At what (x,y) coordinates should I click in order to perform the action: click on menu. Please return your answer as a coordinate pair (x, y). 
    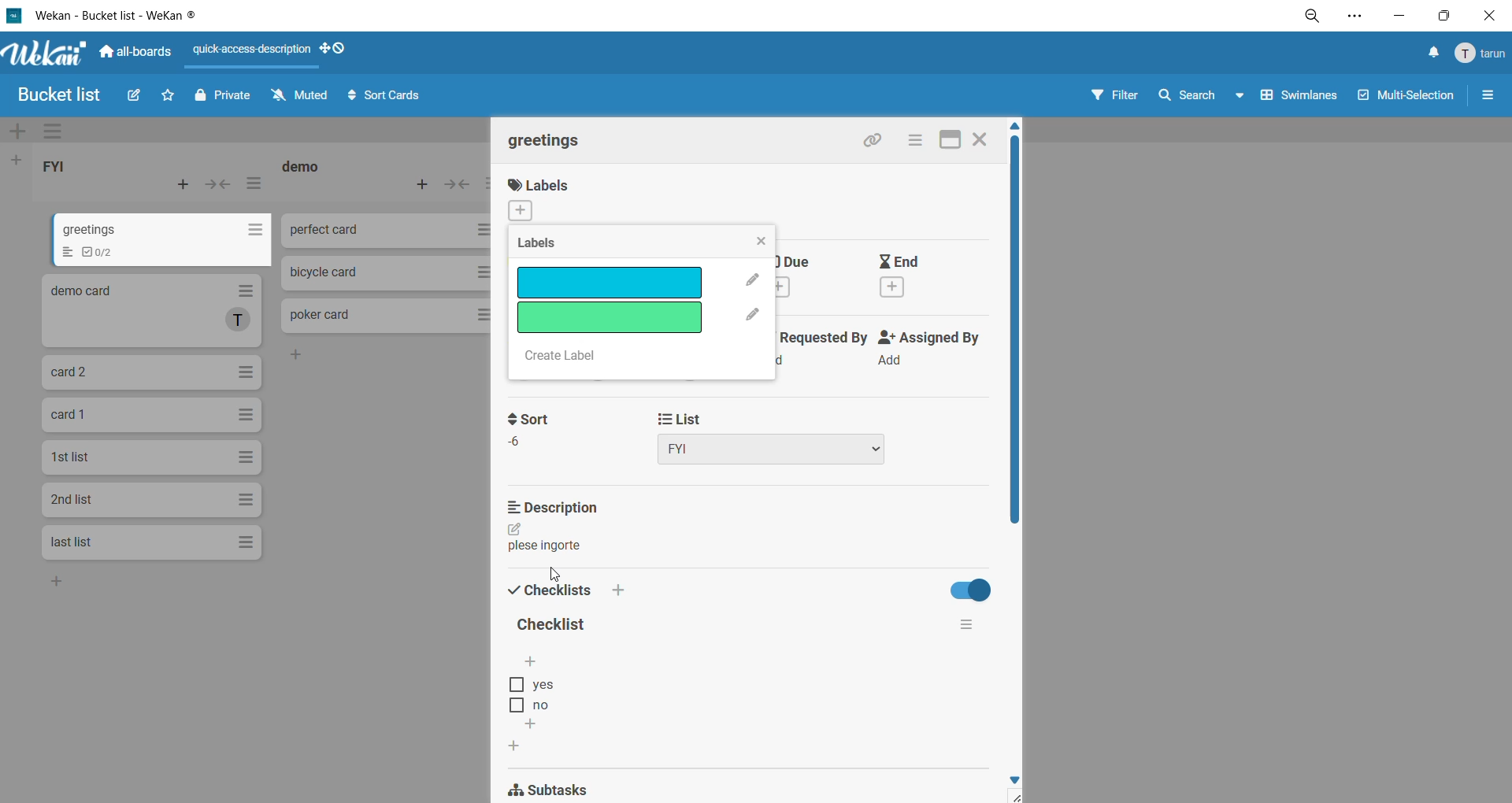
    Looking at the image, I should click on (1480, 54).